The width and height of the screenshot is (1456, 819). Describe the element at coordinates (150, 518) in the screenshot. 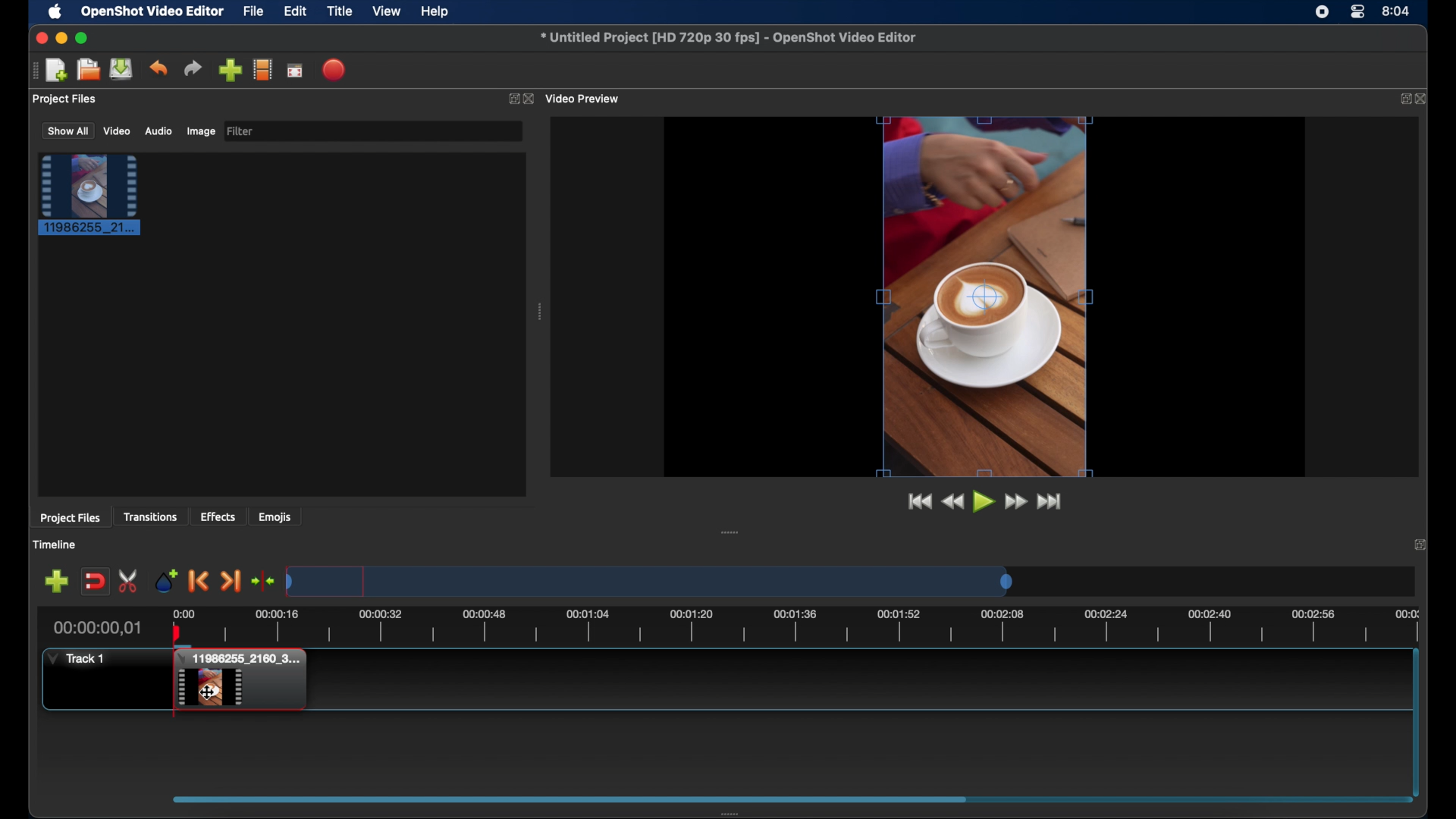

I see `transitions` at that location.